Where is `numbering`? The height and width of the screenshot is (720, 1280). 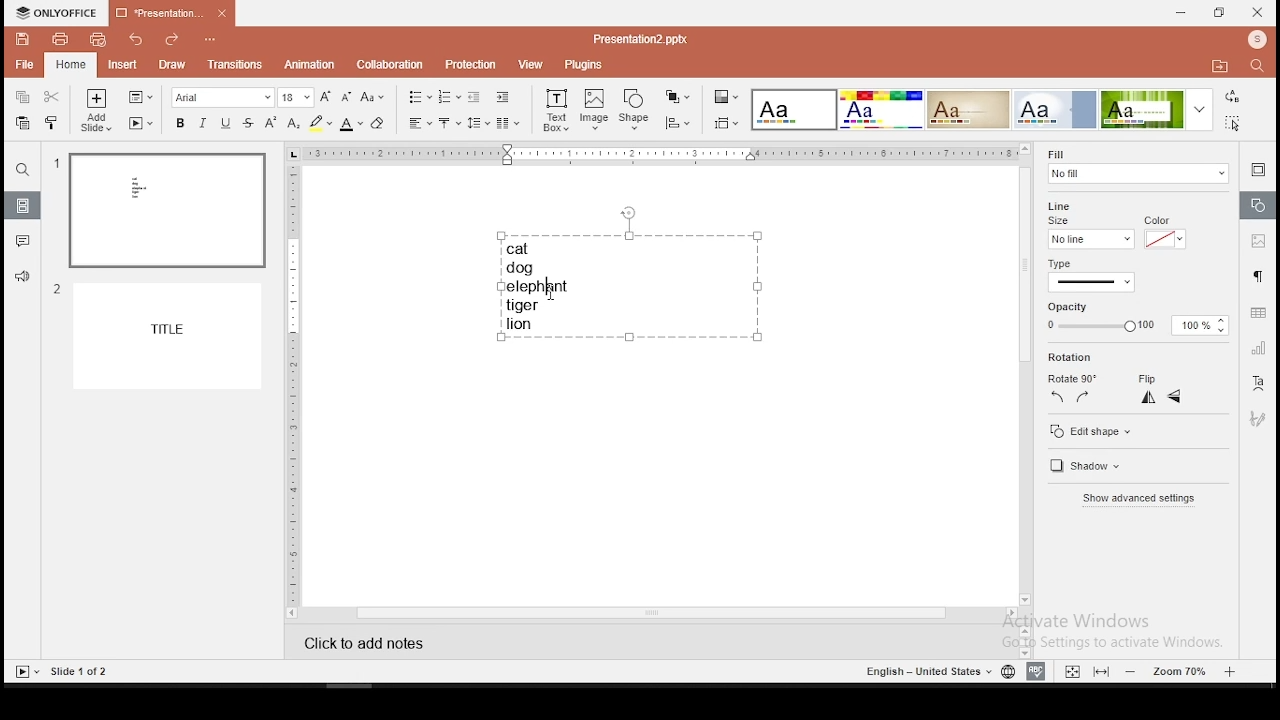
numbering is located at coordinates (450, 97).